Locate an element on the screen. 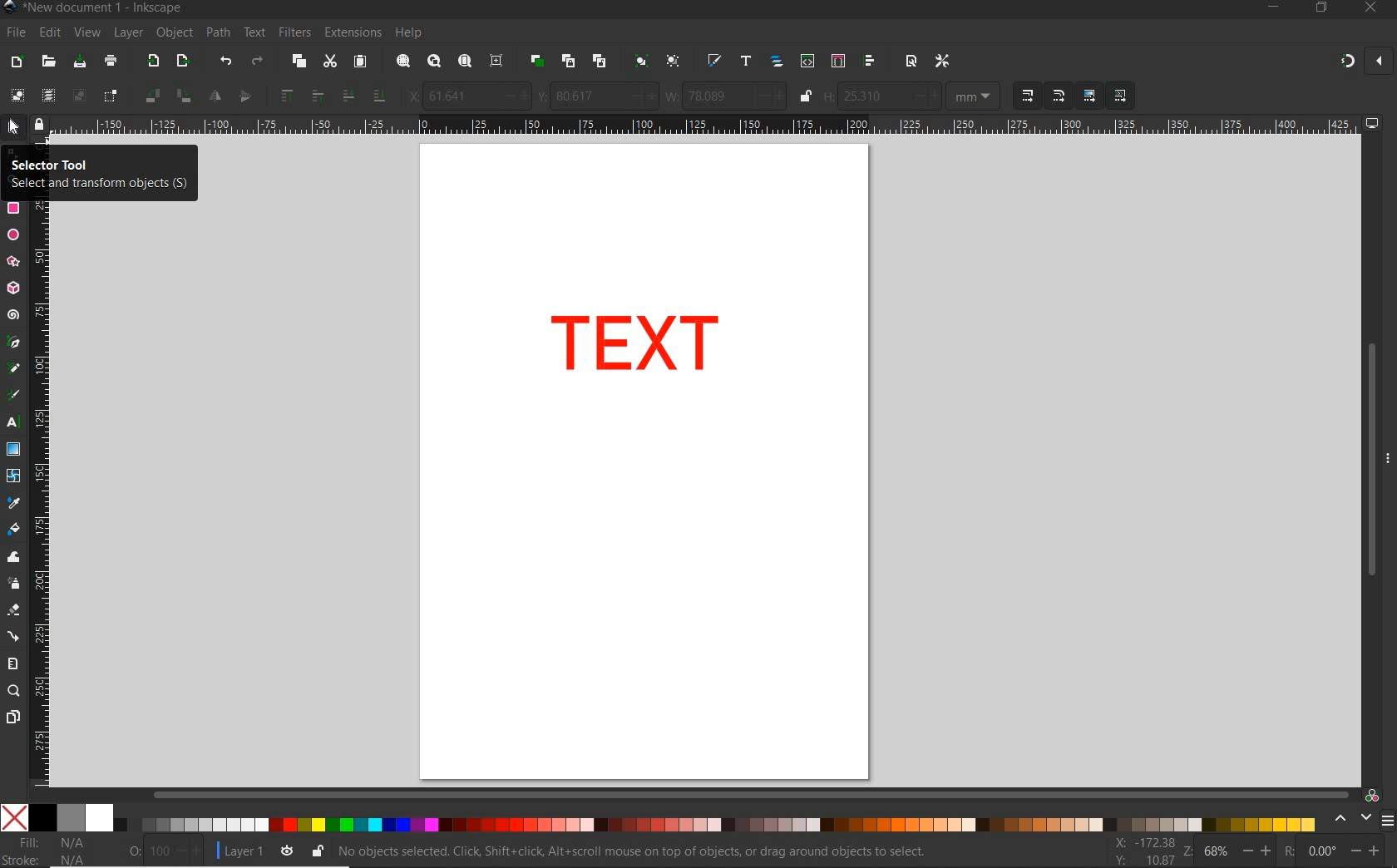 The height and width of the screenshot is (868, 1397). select all in all layers is located at coordinates (48, 96).